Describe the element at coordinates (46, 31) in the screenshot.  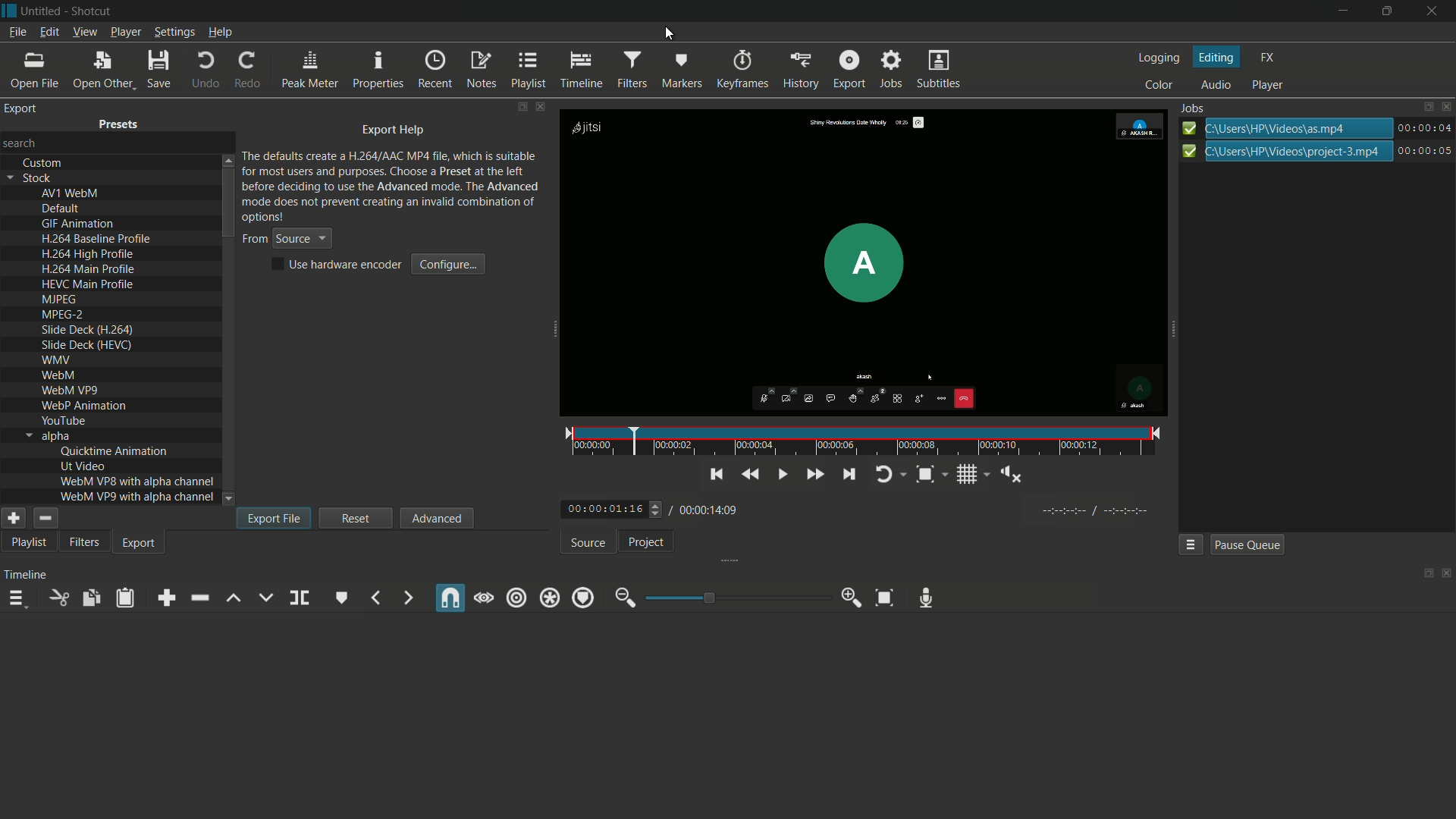
I see `edit menu` at that location.